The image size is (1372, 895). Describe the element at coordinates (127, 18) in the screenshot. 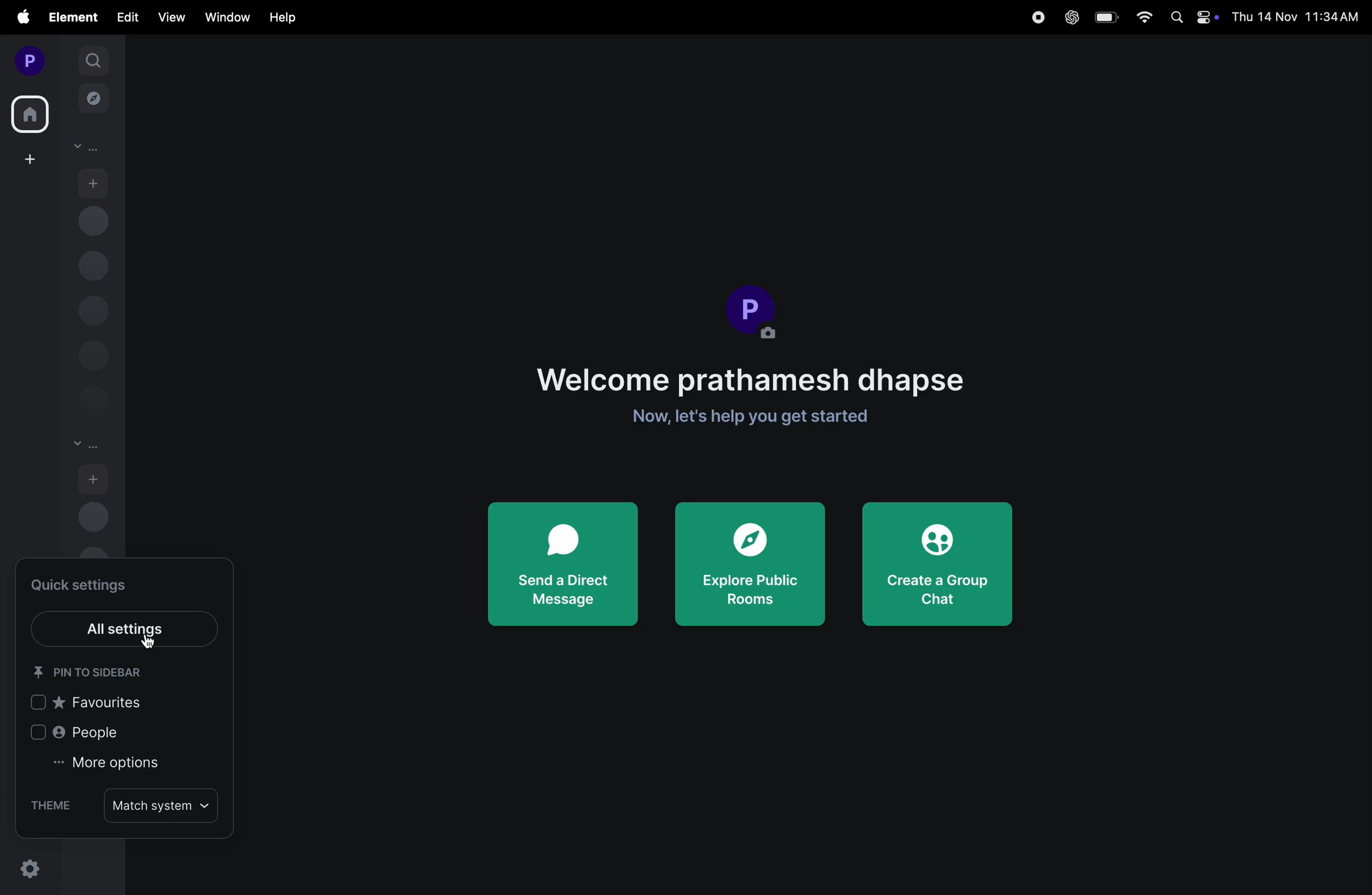

I see `edit` at that location.